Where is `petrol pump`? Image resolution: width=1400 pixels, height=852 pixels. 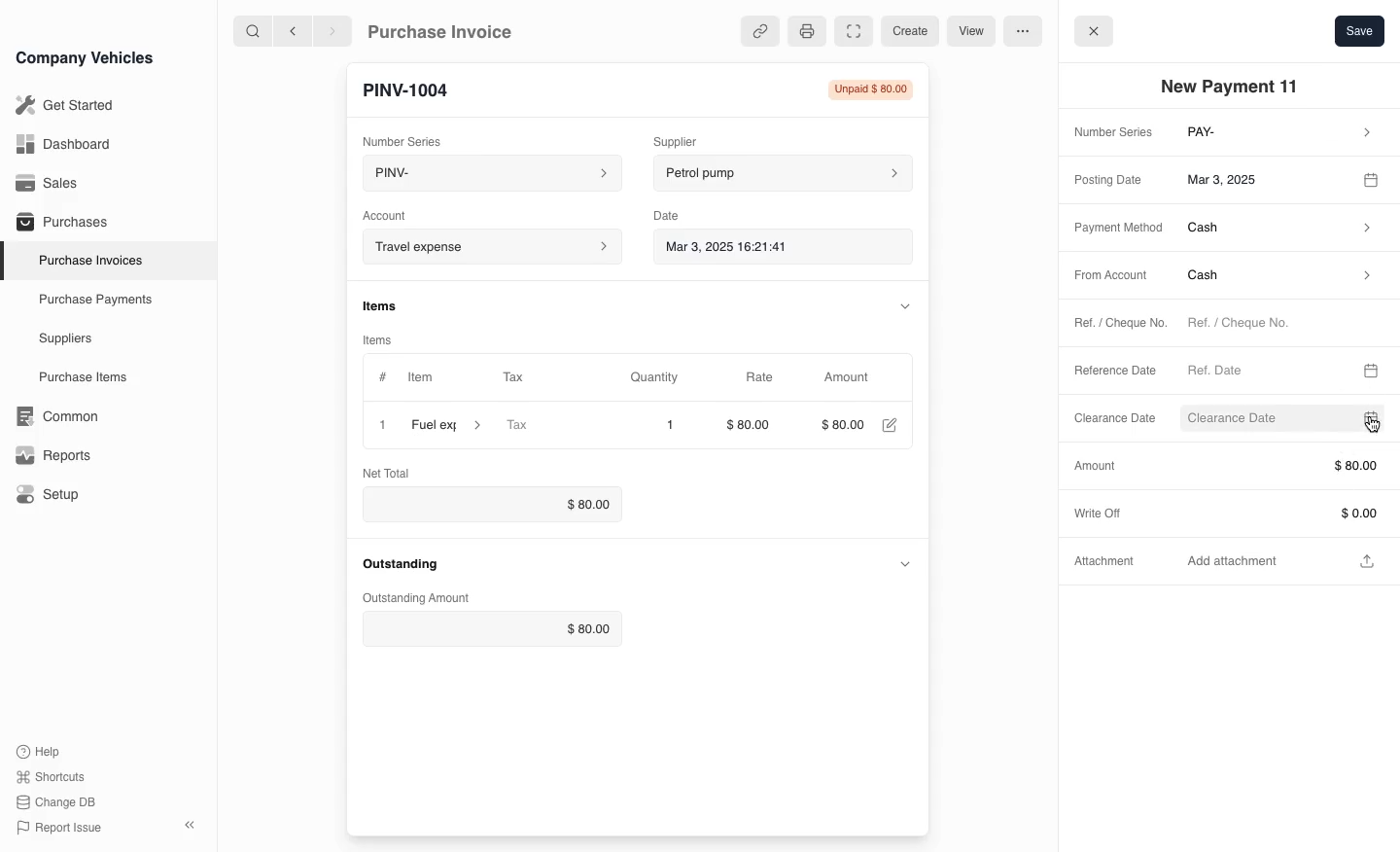
petrol pump is located at coordinates (784, 170).